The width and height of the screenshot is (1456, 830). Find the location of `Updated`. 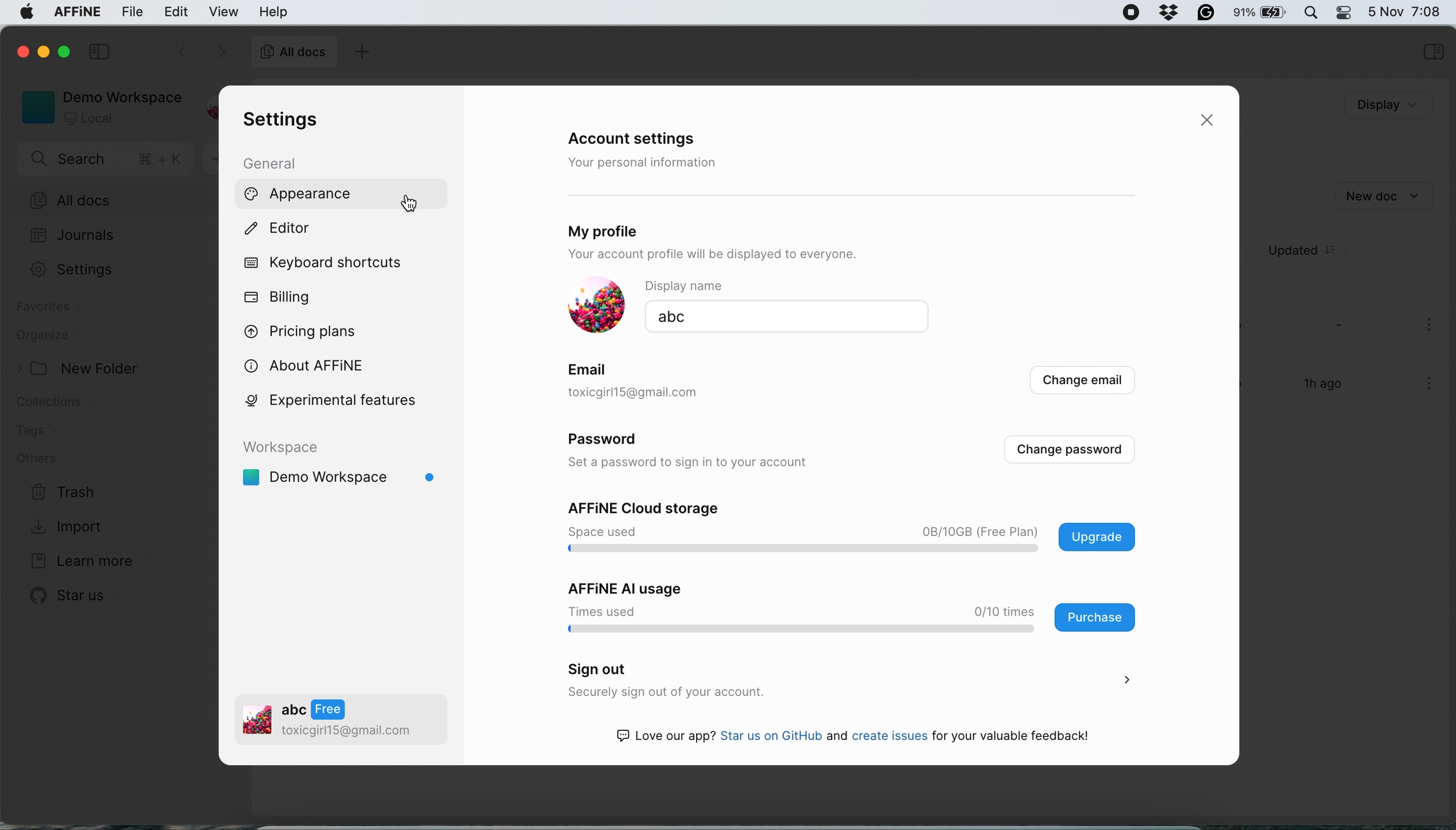

Updated is located at coordinates (1299, 250).